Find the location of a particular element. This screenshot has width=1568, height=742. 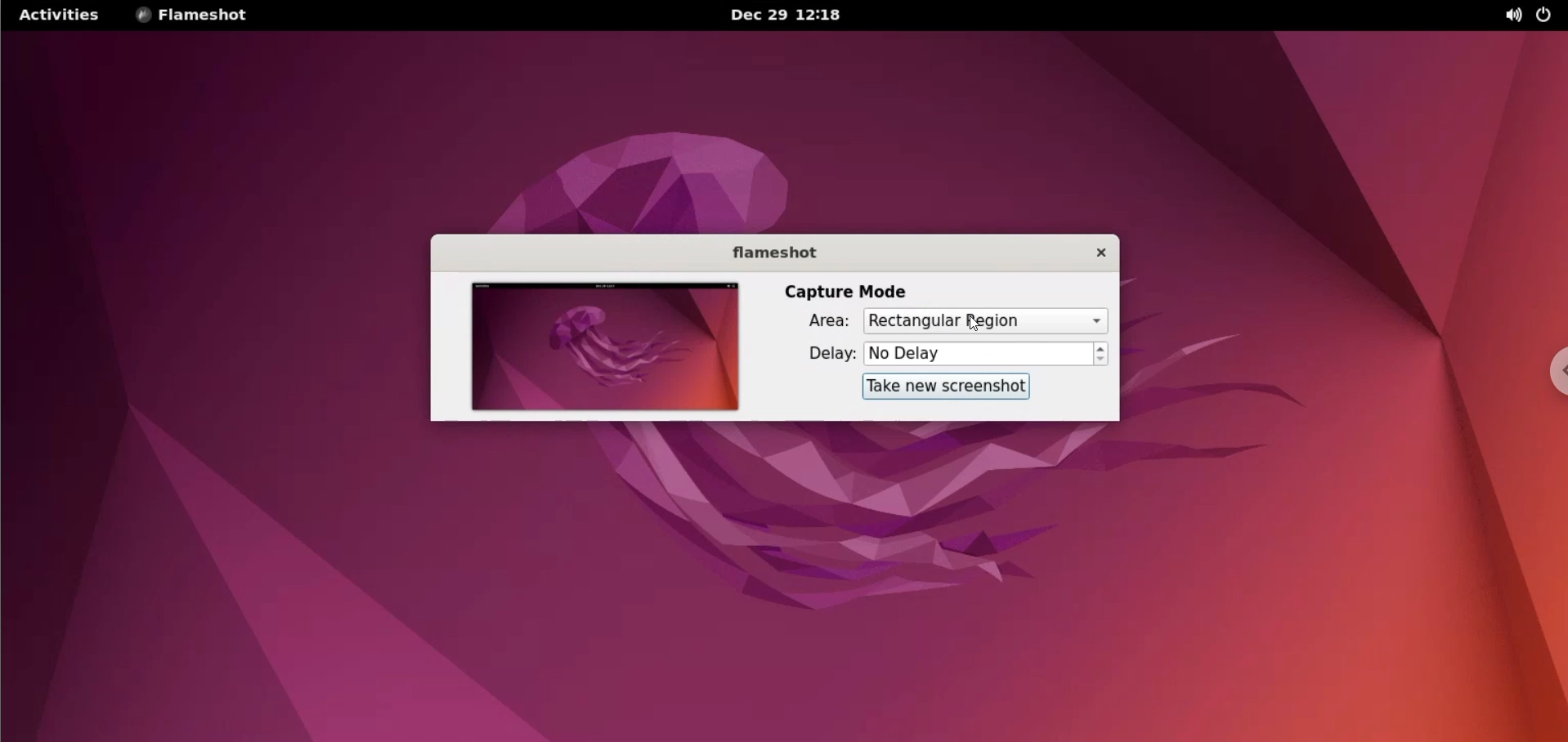

close is located at coordinates (1096, 253).